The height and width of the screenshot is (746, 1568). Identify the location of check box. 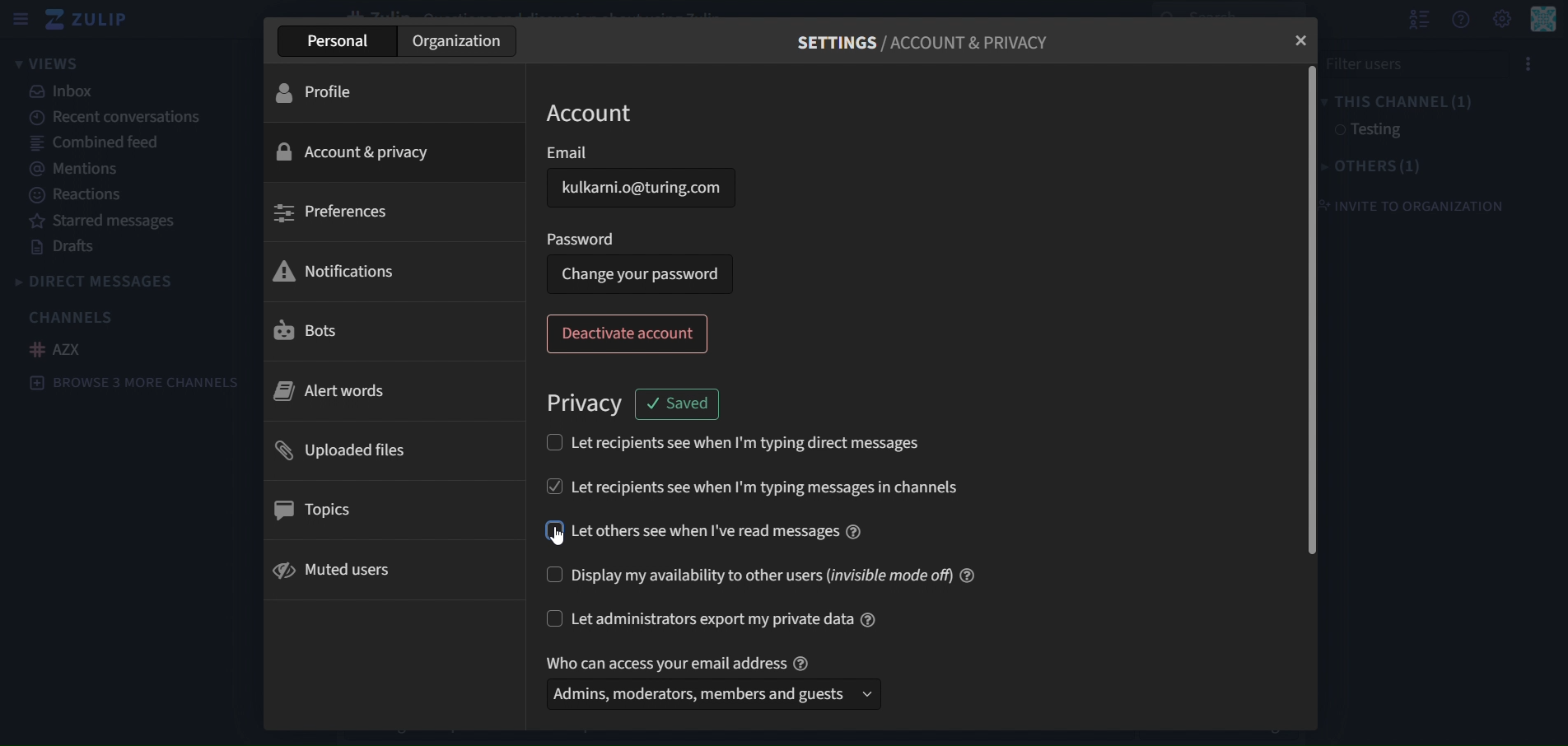
(552, 529).